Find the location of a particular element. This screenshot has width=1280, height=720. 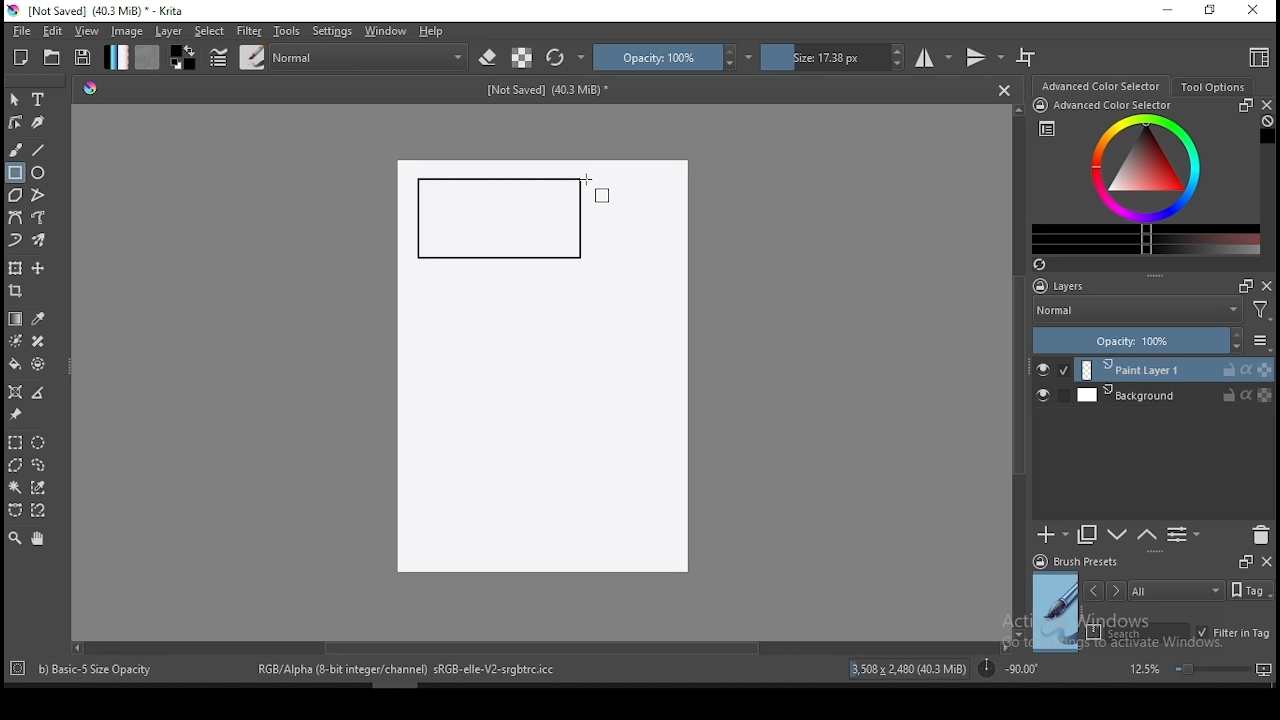

Filter is located at coordinates (1261, 313).